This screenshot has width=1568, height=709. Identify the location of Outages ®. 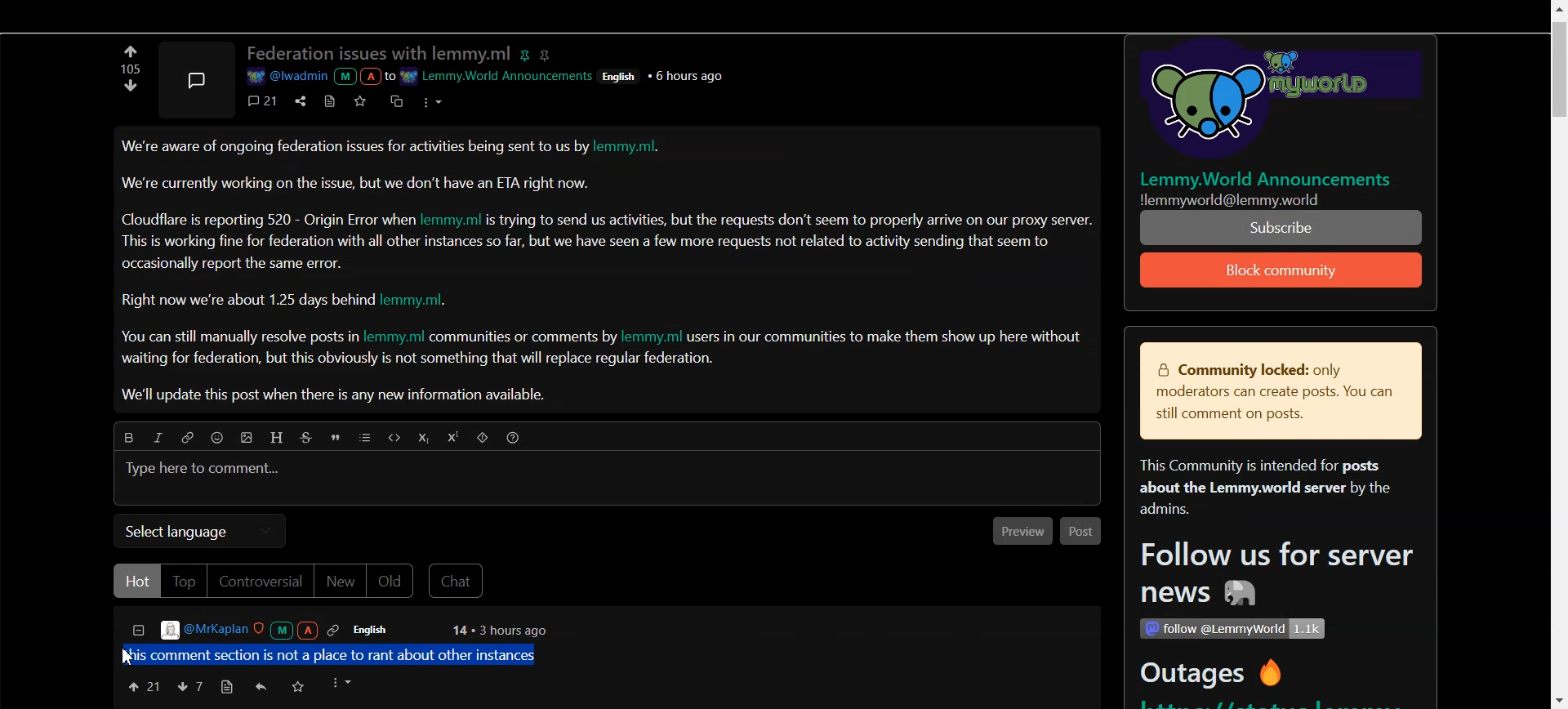
(1213, 676).